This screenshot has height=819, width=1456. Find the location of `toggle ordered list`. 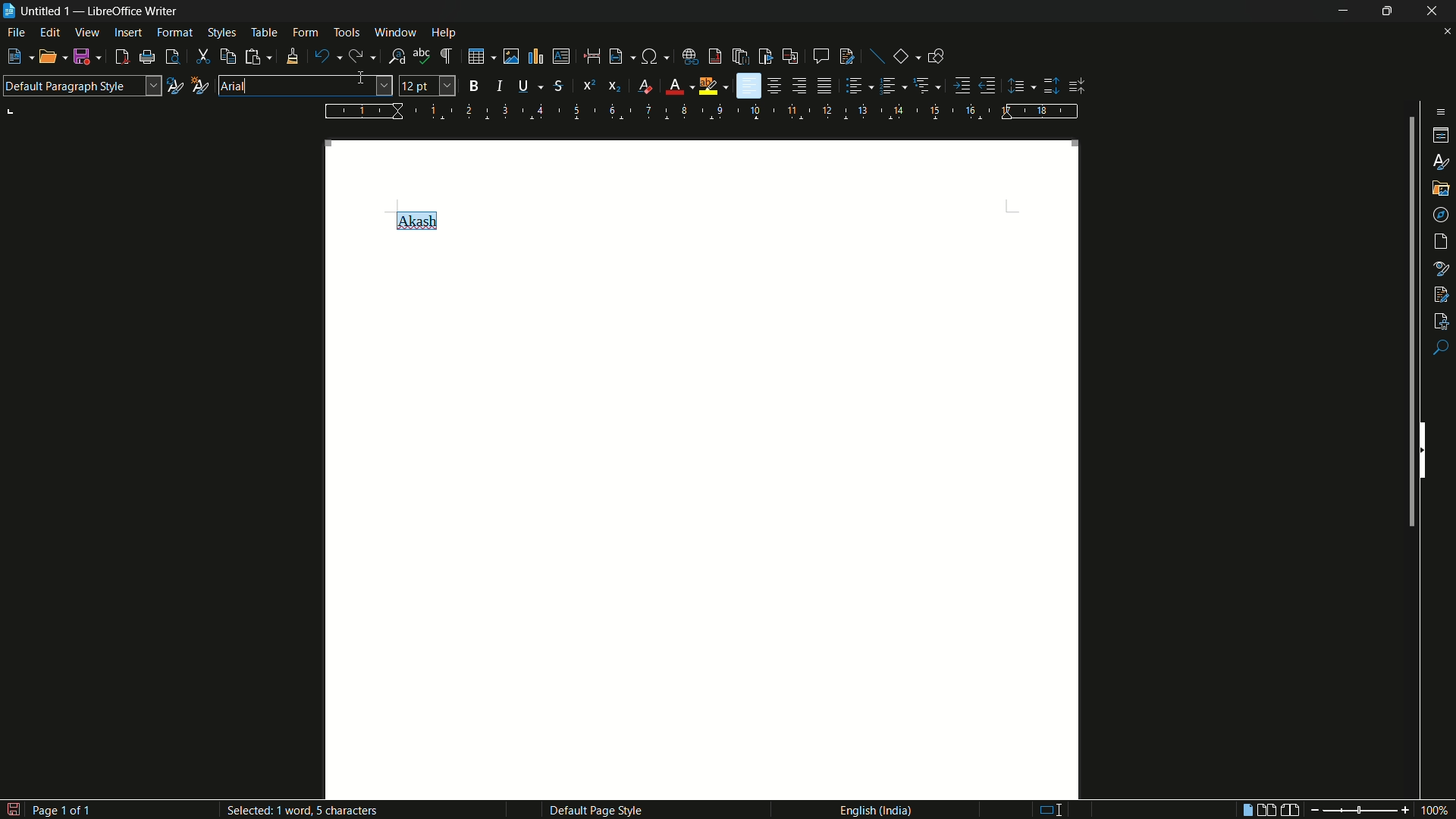

toggle ordered list is located at coordinates (890, 85).